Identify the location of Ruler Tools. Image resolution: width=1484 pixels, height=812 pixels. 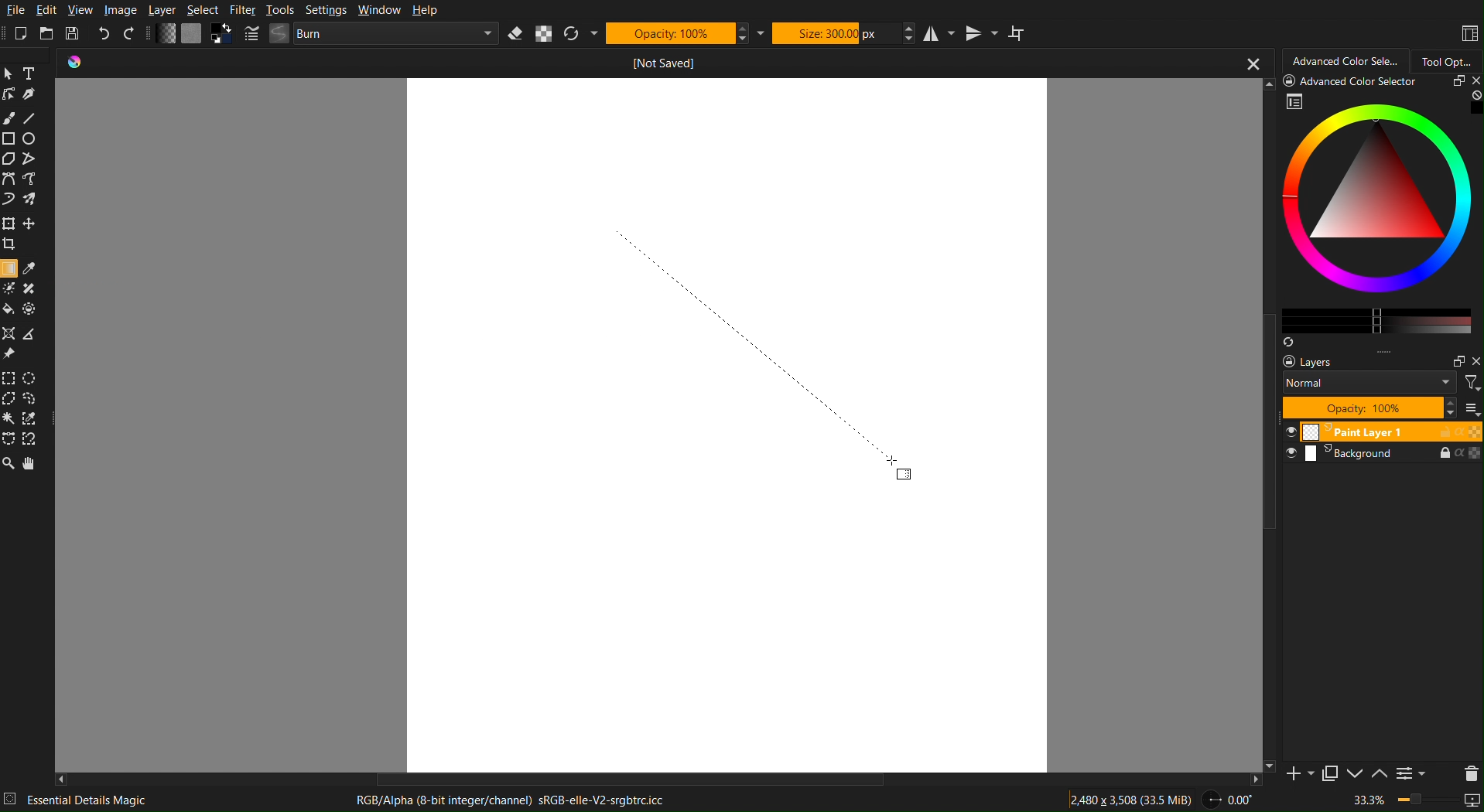
(22, 342).